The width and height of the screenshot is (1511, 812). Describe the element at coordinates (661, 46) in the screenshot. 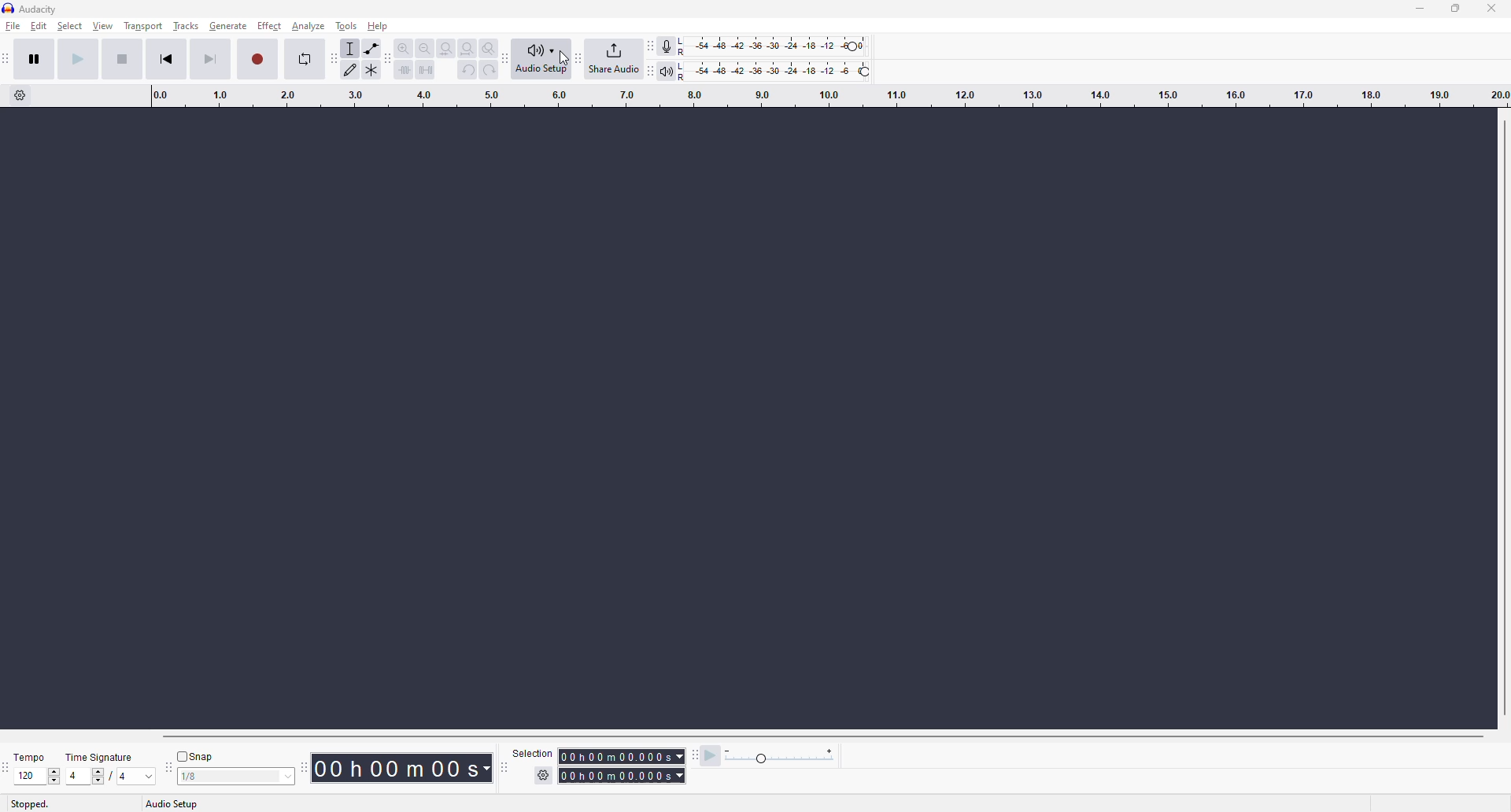

I see `record meter` at that location.